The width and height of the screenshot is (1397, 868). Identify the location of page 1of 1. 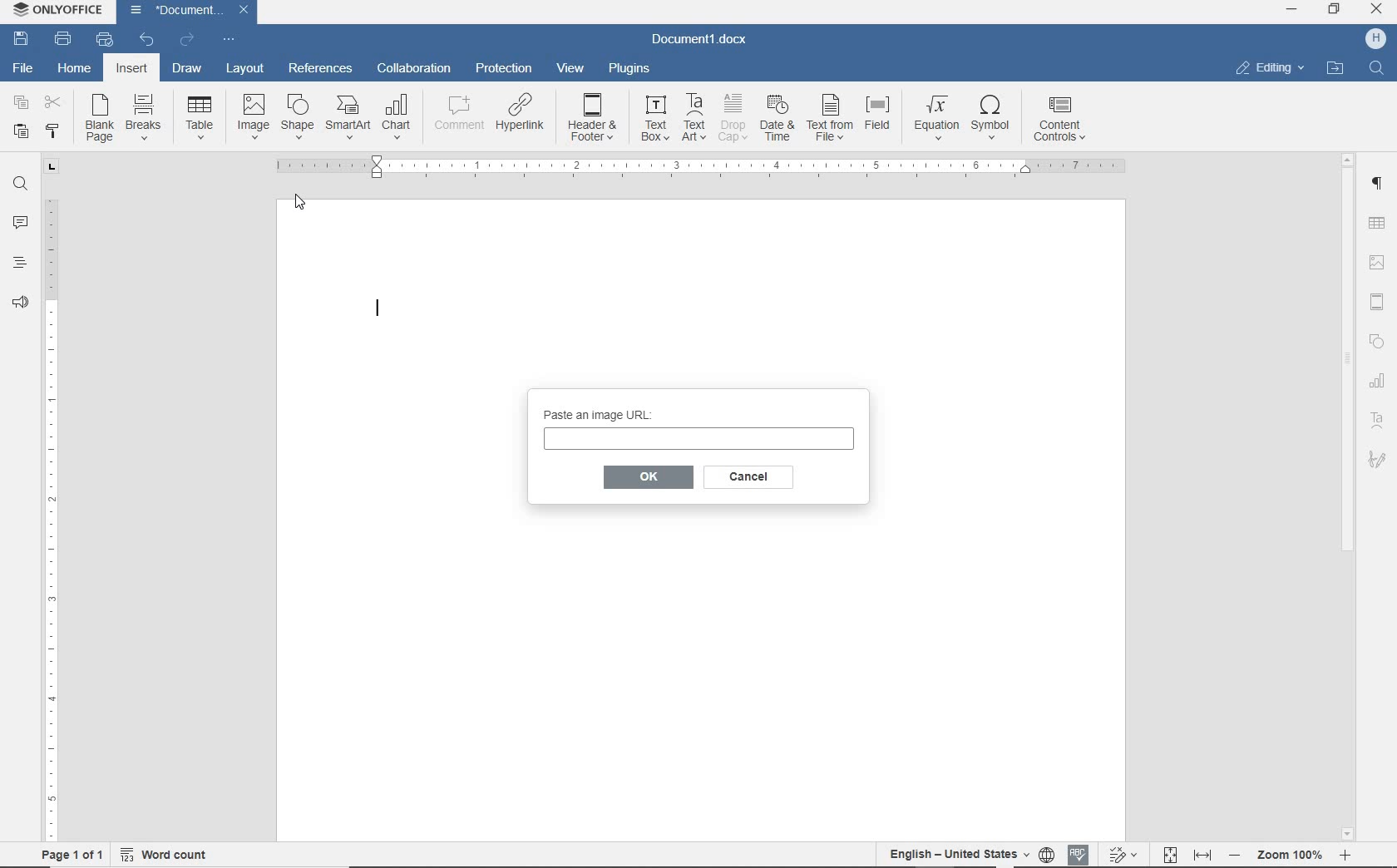
(74, 856).